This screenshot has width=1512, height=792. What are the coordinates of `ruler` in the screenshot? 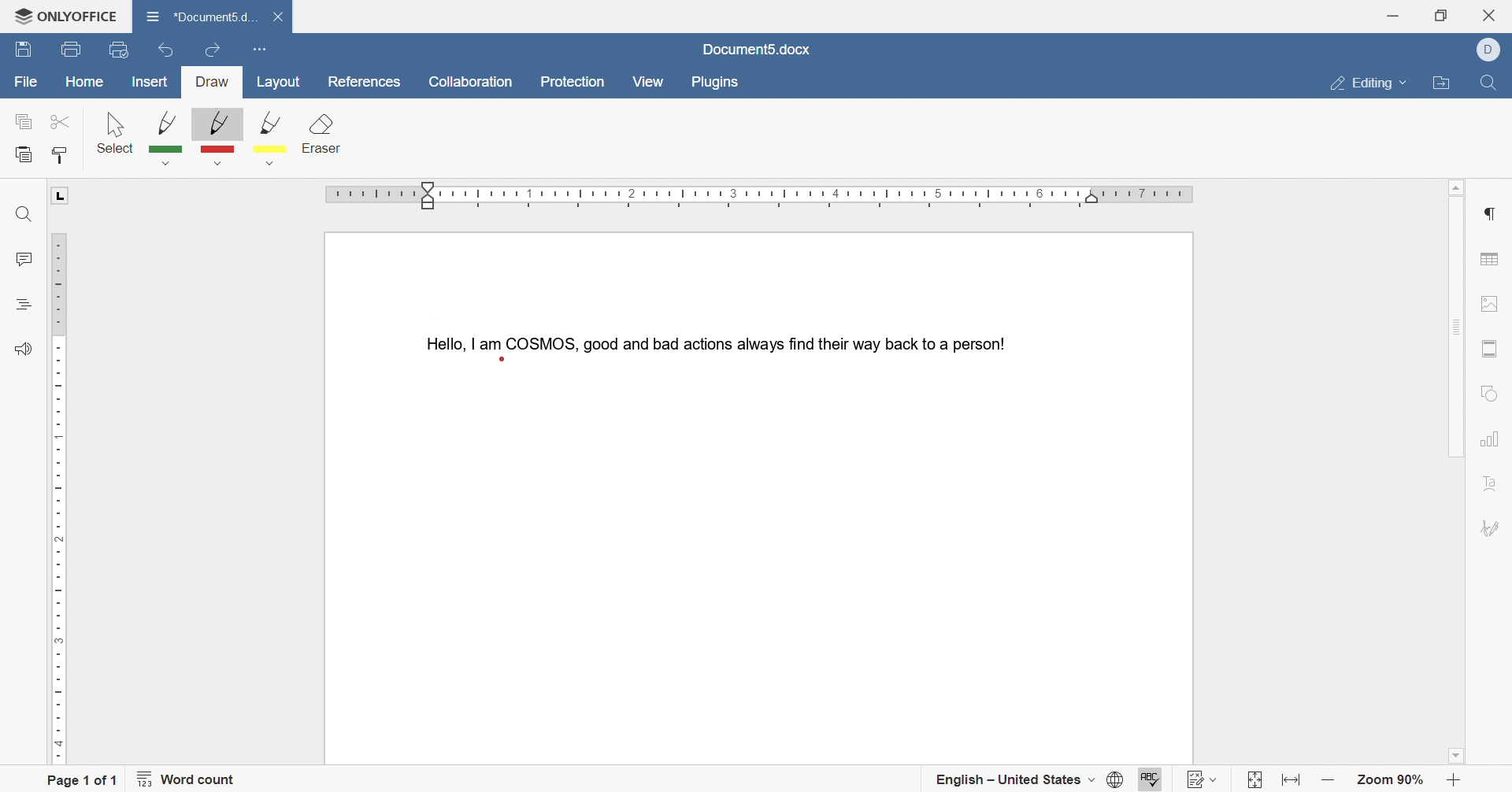 It's located at (764, 196).